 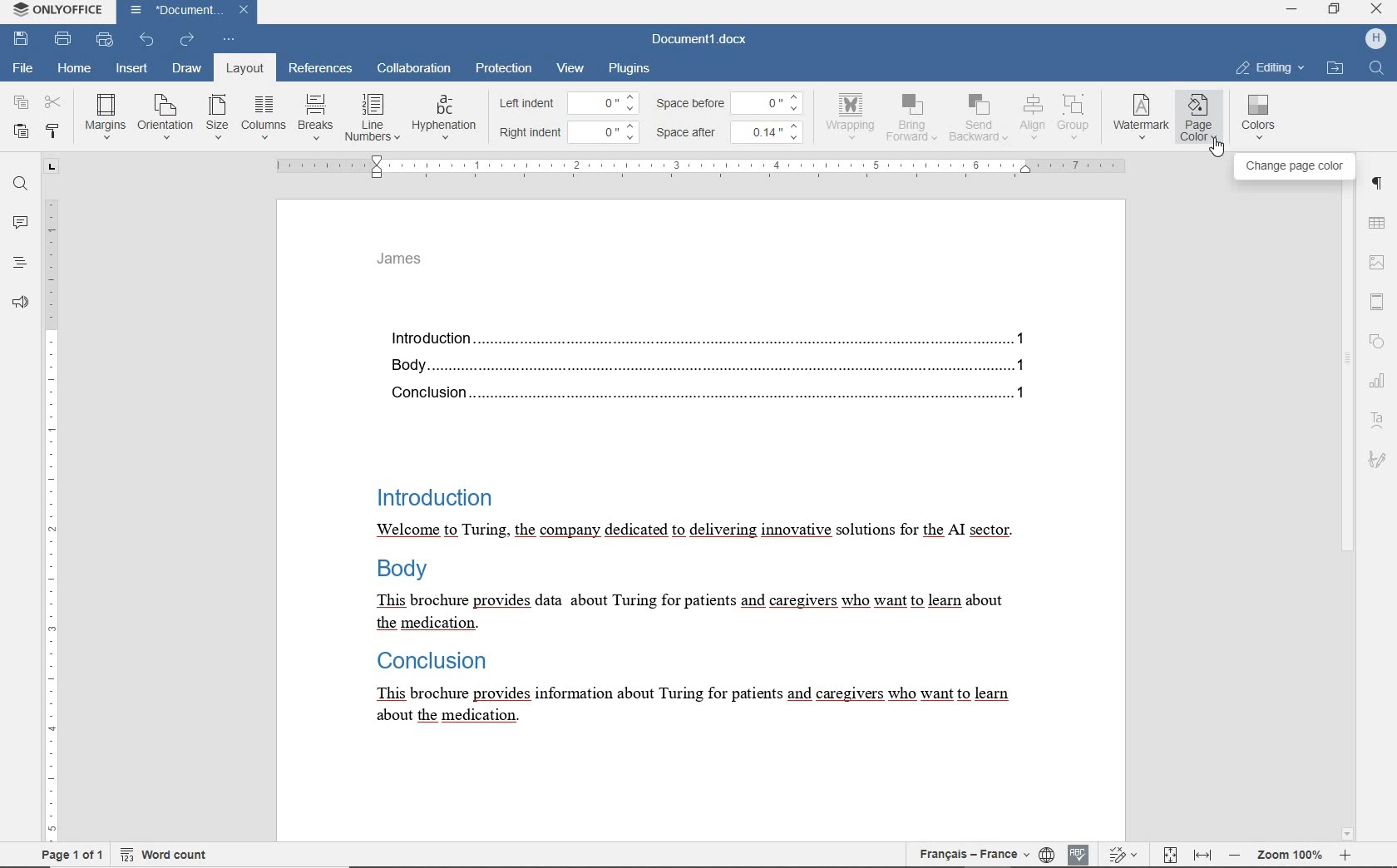 I want to click on home, so click(x=73, y=70).